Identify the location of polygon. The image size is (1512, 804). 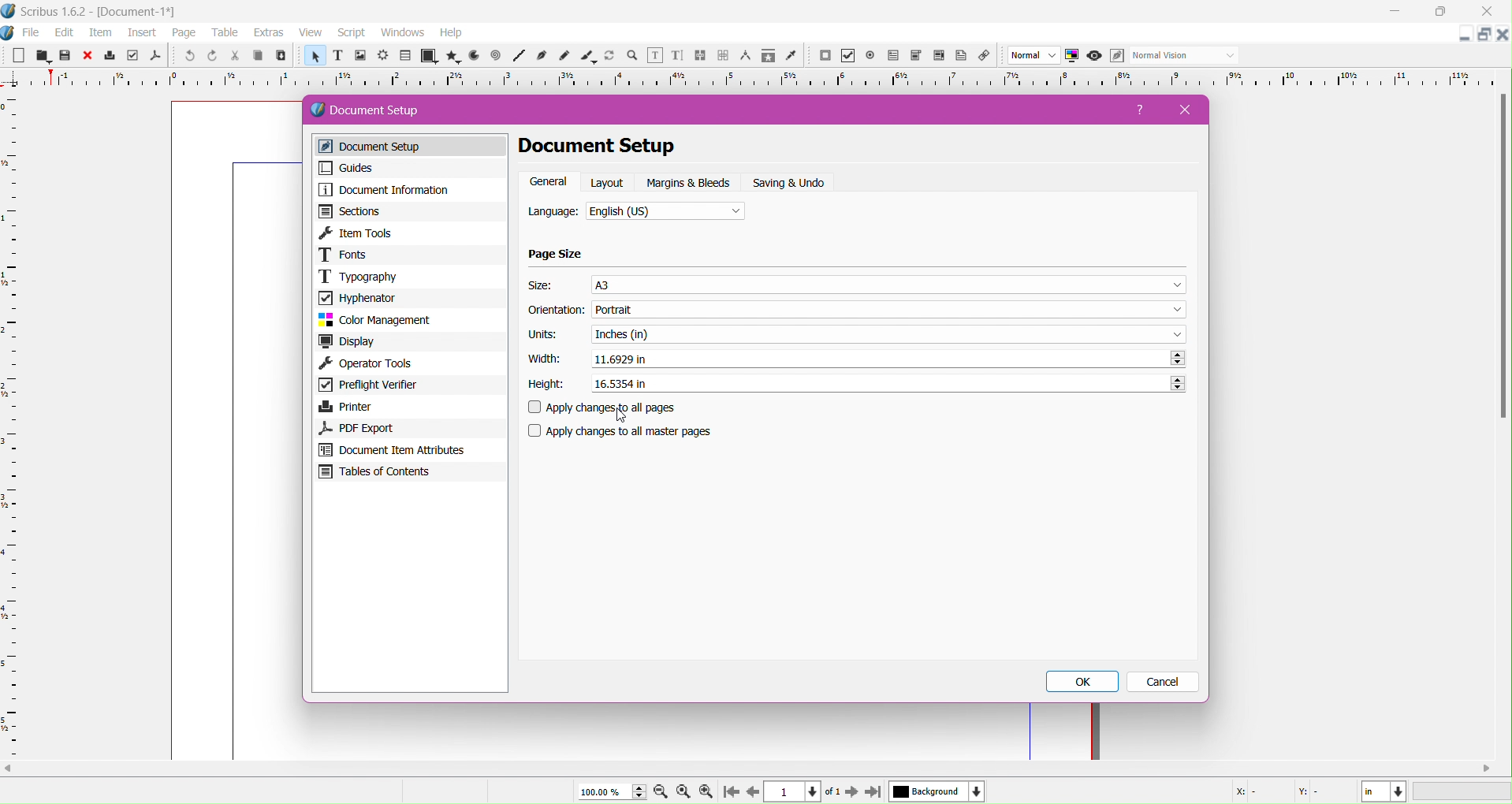
(449, 56).